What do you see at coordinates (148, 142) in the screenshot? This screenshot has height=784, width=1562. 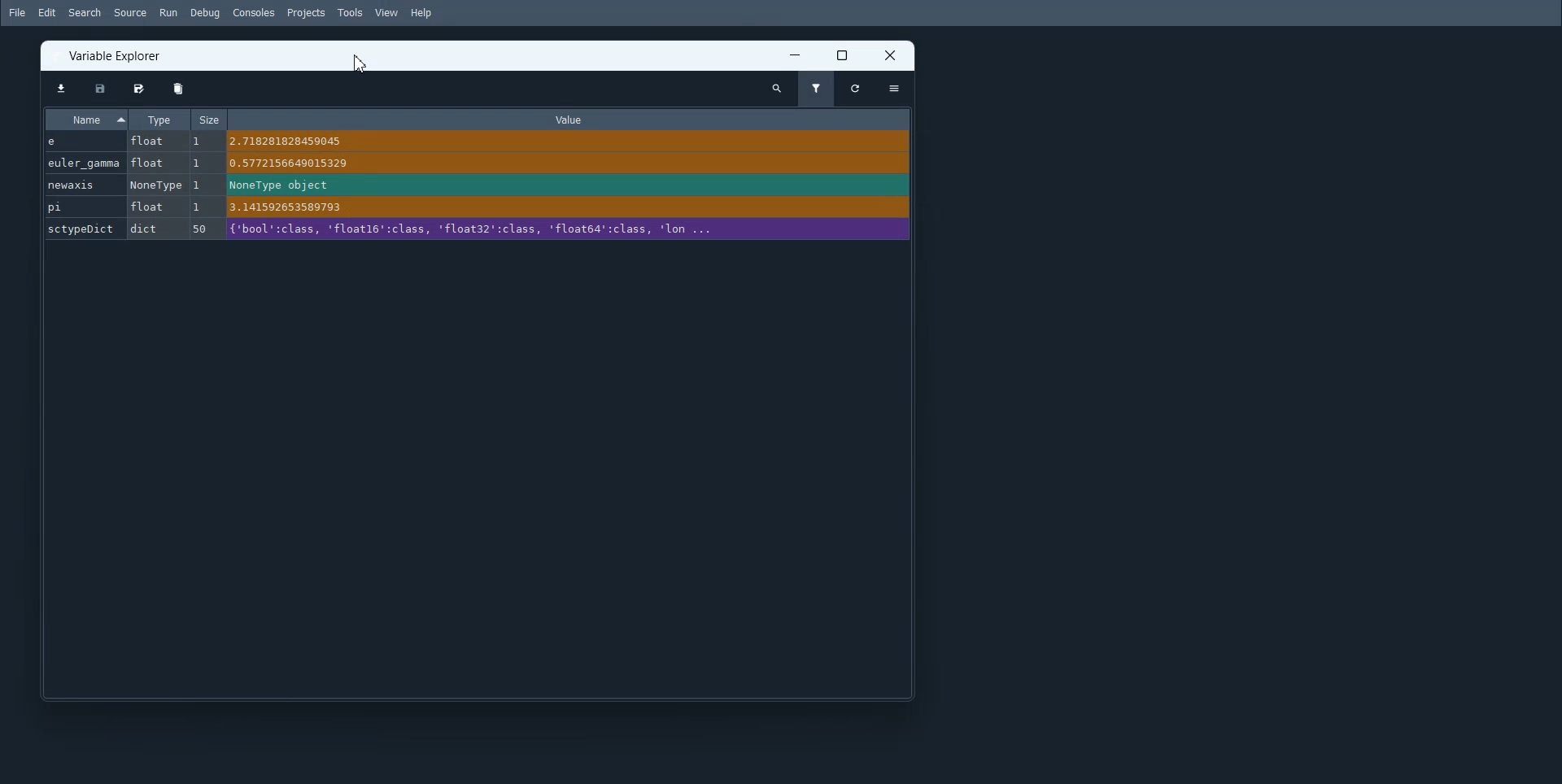 I see `float` at bounding box center [148, 142].